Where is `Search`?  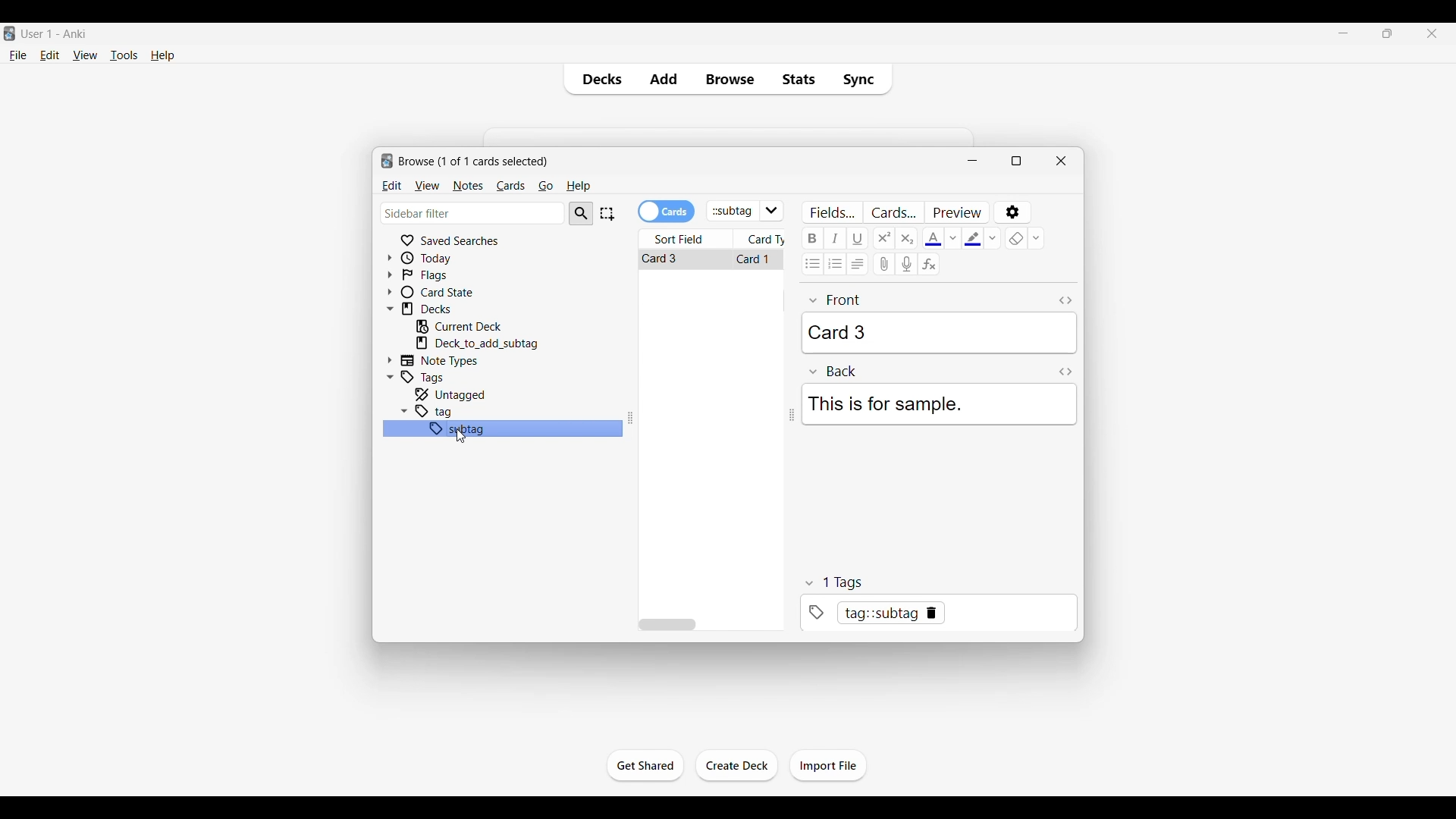
Search is located at coordinates (581, 214).